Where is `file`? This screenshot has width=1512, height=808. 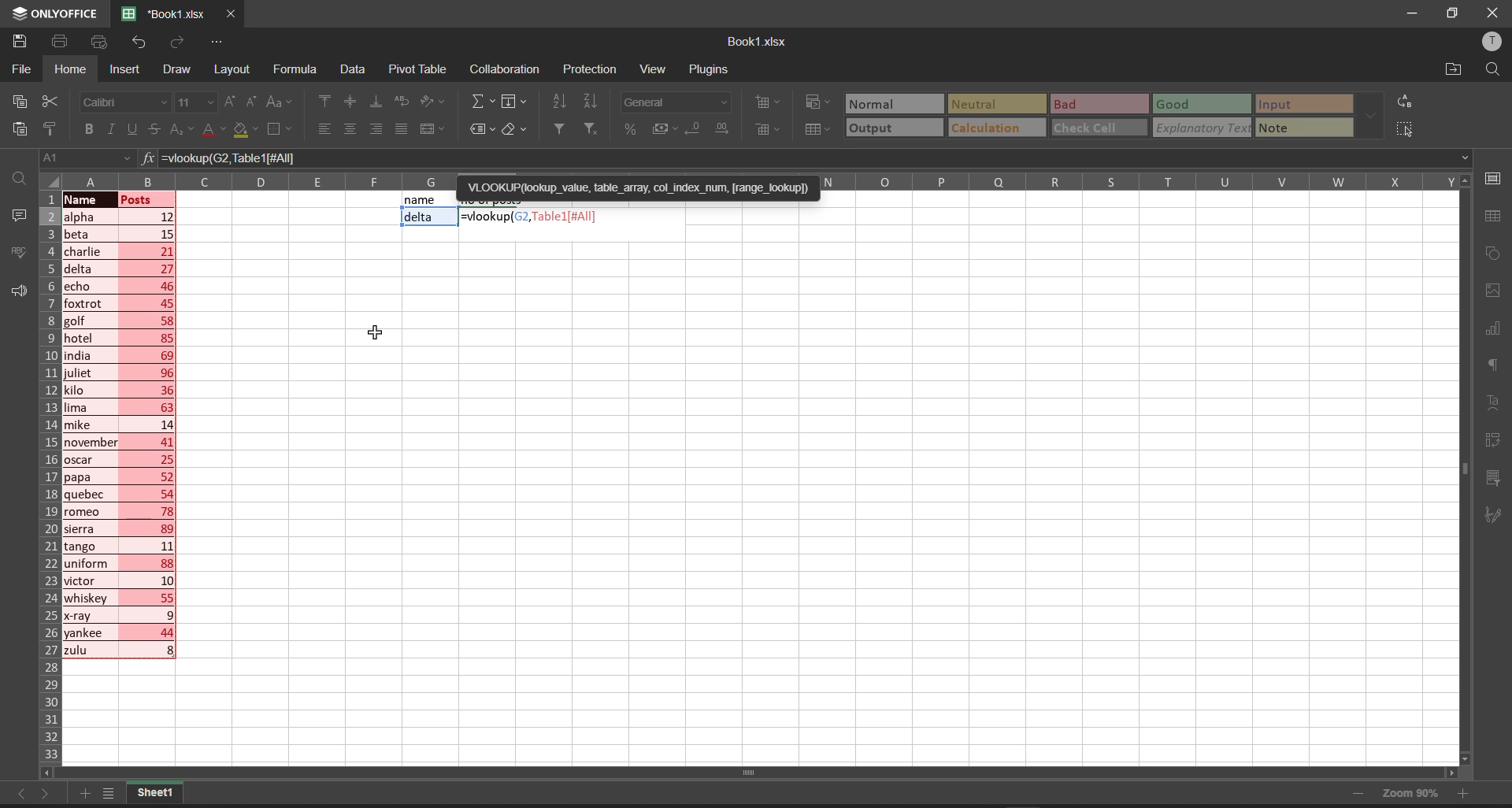 file is located at coordinates (23, 68).